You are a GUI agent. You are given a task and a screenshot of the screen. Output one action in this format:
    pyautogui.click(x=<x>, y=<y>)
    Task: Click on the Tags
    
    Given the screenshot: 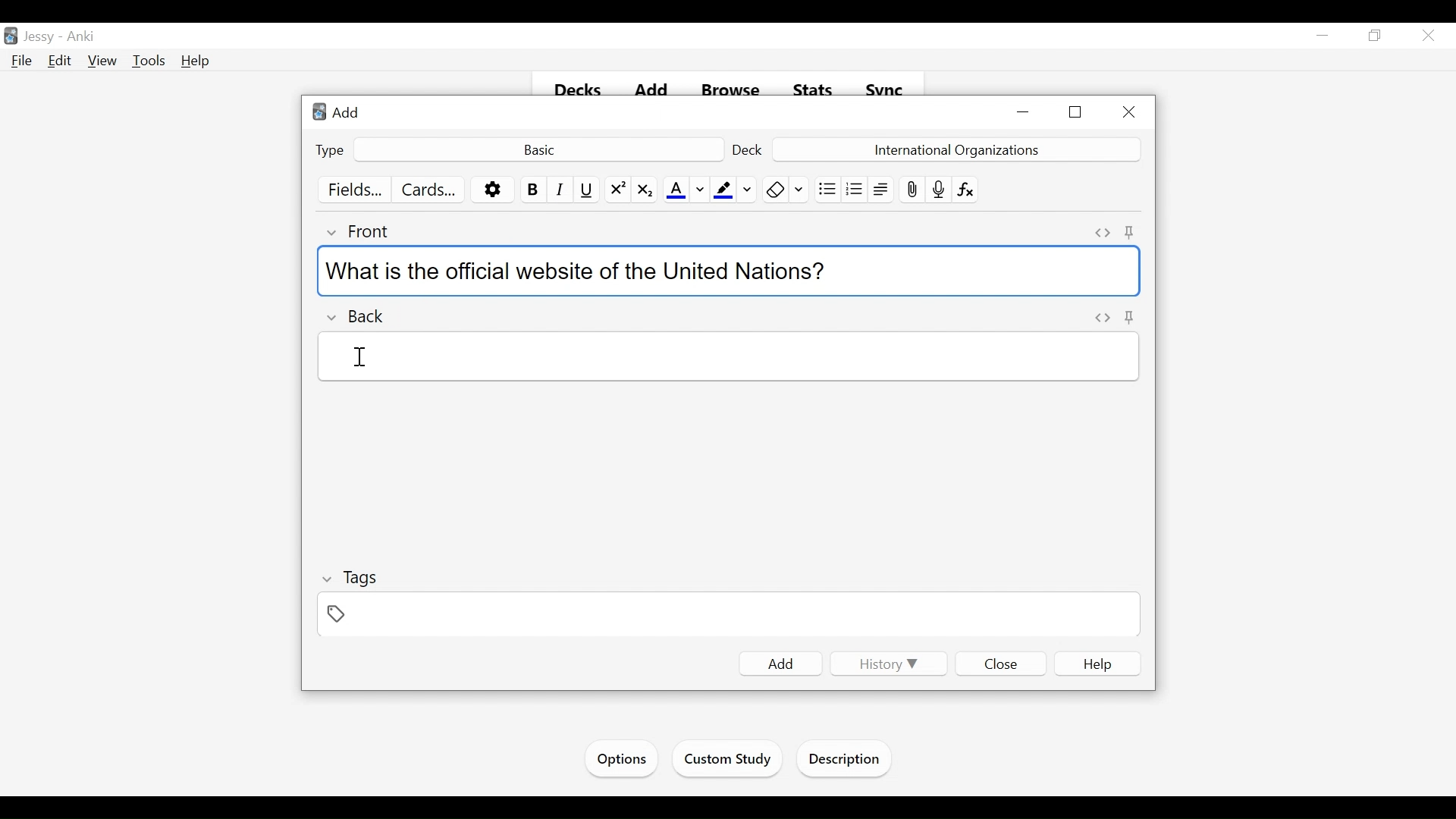 What is the action you would take?
    pyautogui.click(x=352, y=577)
    